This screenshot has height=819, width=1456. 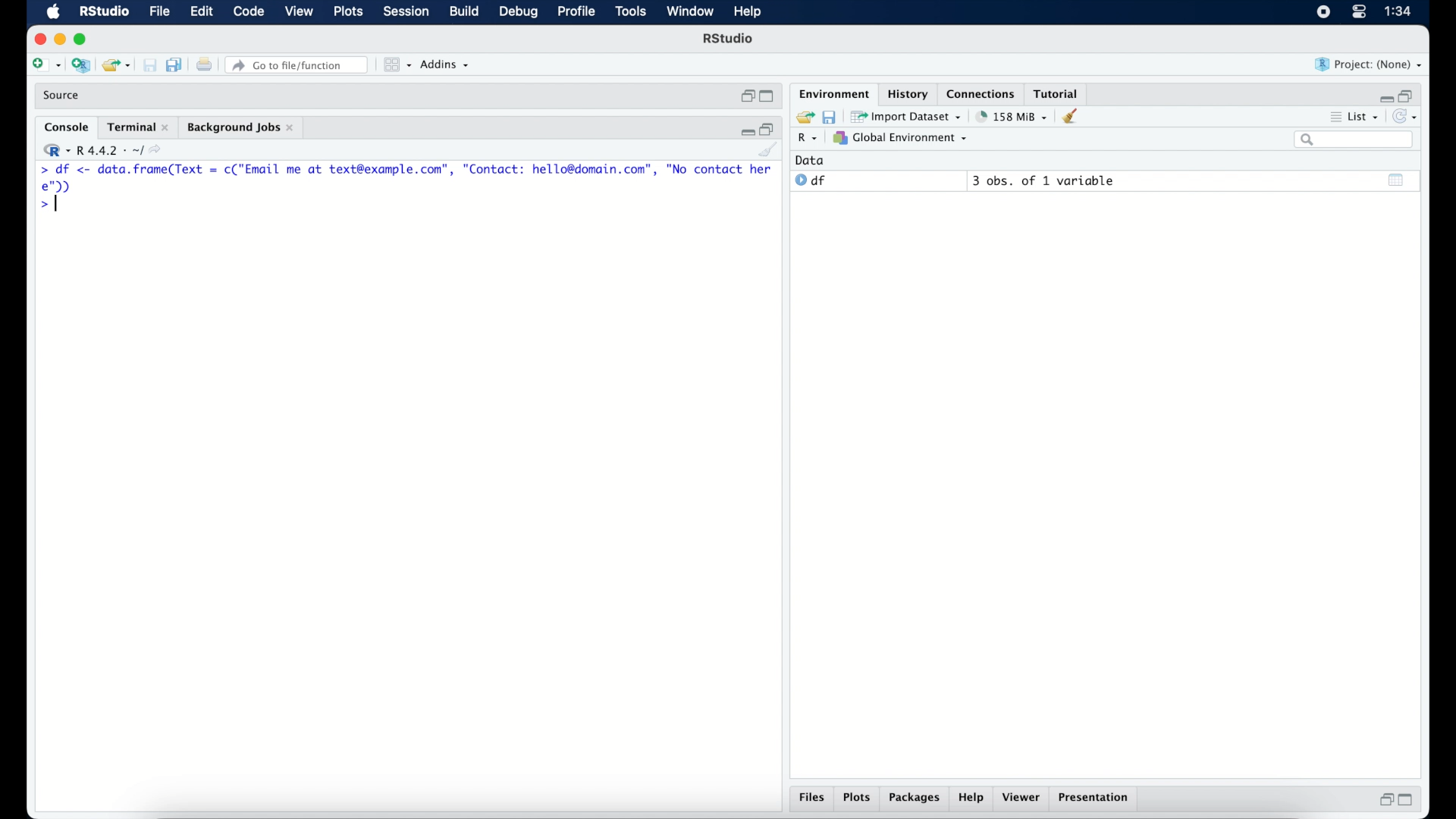 I want to click on > df <- Se renee = c("Email me at text@example.com”, "Contact: hello@domain.com”, "No contact
here");, so click(x=406, y=178).